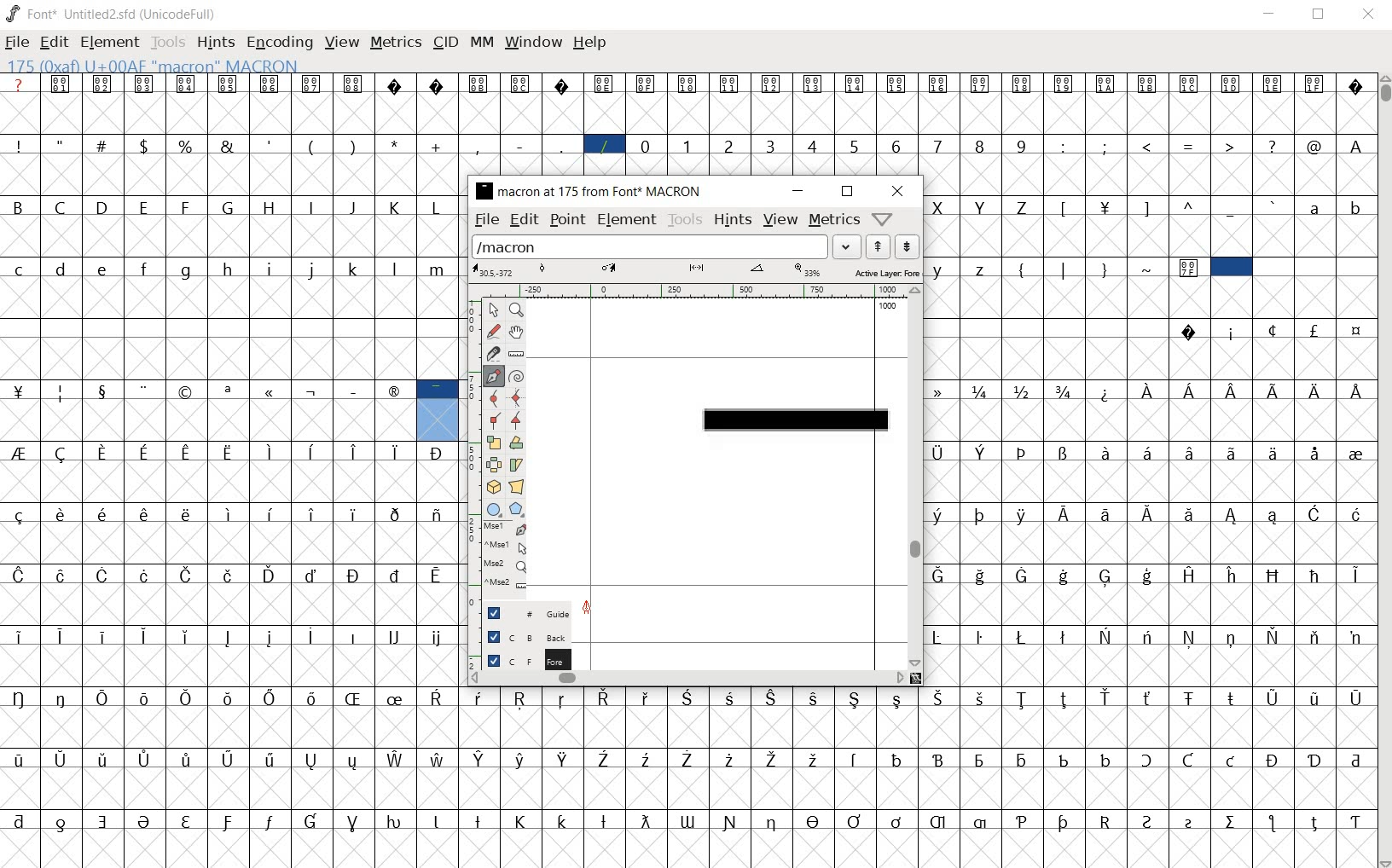  What do you see at coordinates (146, 820) in the screenshot?
I see `Symbol` at bounding box center [146, 820].